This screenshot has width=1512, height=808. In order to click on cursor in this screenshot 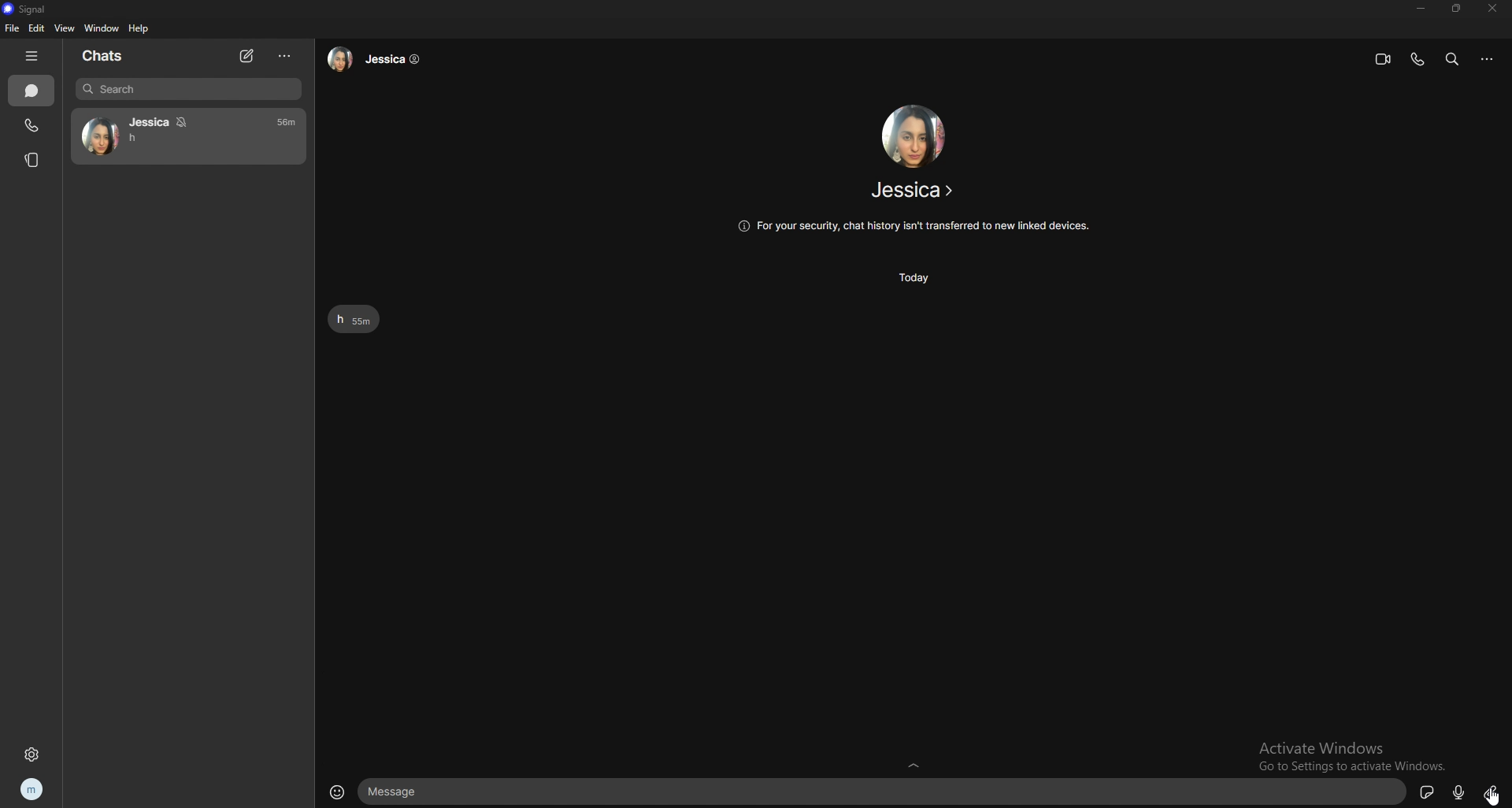, I will do `click(1495, 799)`.